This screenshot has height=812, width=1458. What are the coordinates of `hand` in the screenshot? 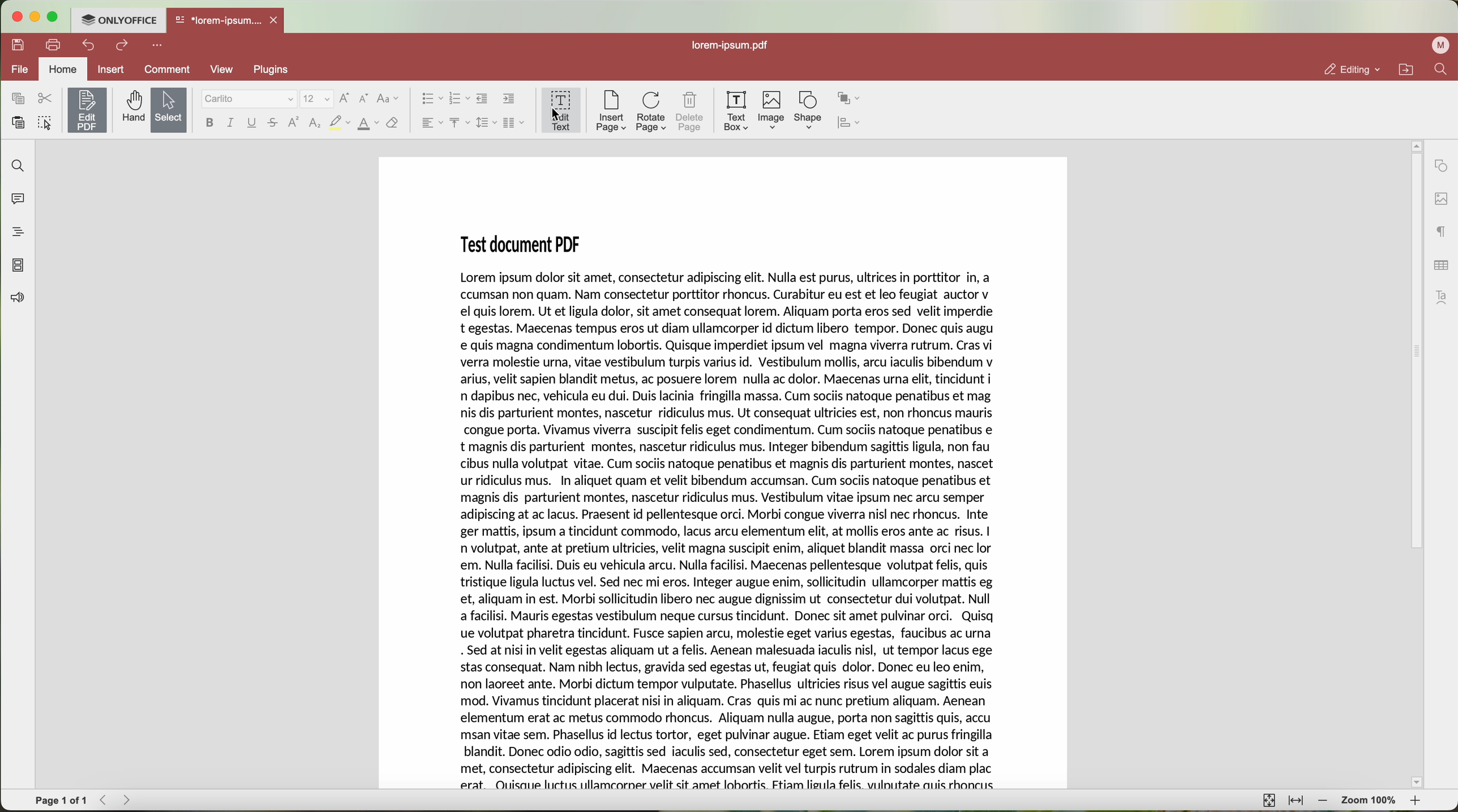 It's located at (131, 110).